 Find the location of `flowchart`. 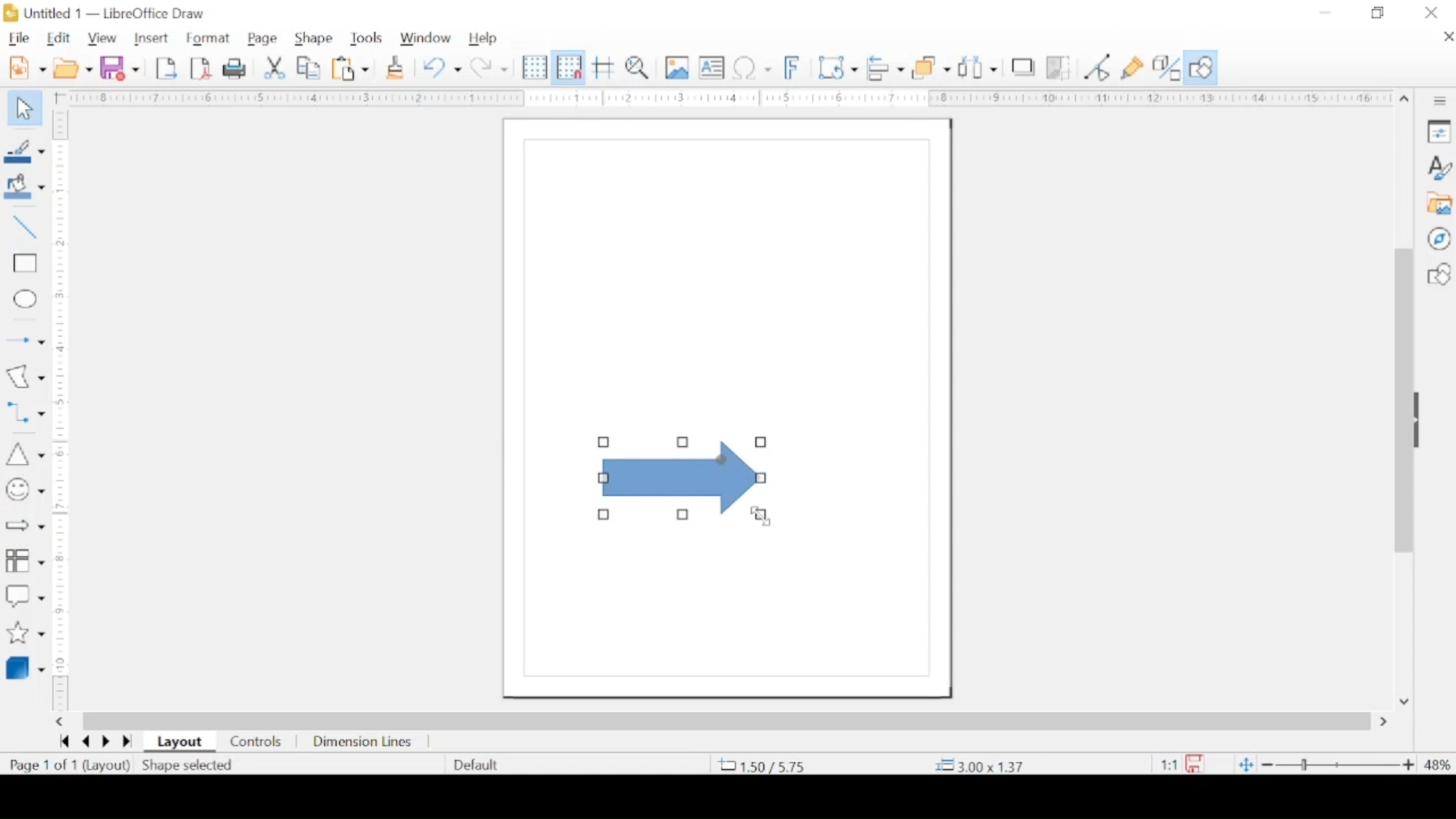

flowchart is located at coordinates (25, 563).